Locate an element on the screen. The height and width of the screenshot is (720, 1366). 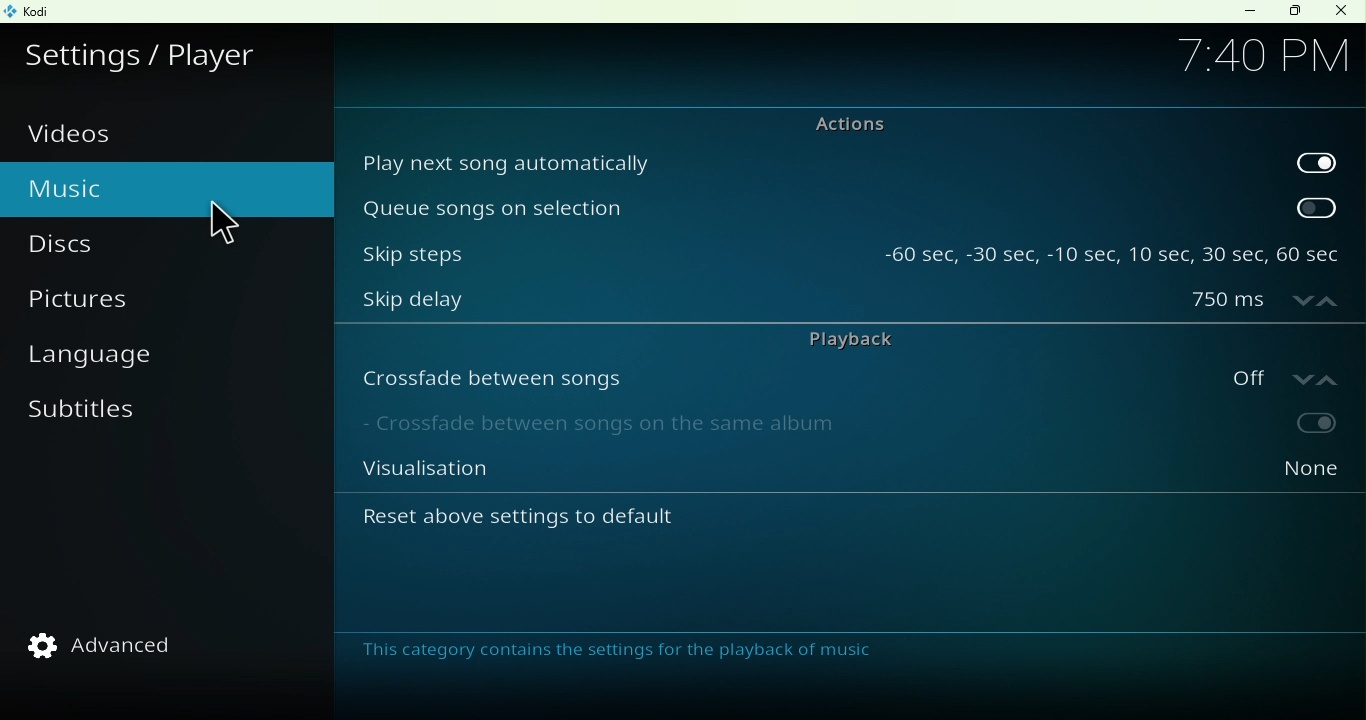
Close is located at coordinates (1340, 12).